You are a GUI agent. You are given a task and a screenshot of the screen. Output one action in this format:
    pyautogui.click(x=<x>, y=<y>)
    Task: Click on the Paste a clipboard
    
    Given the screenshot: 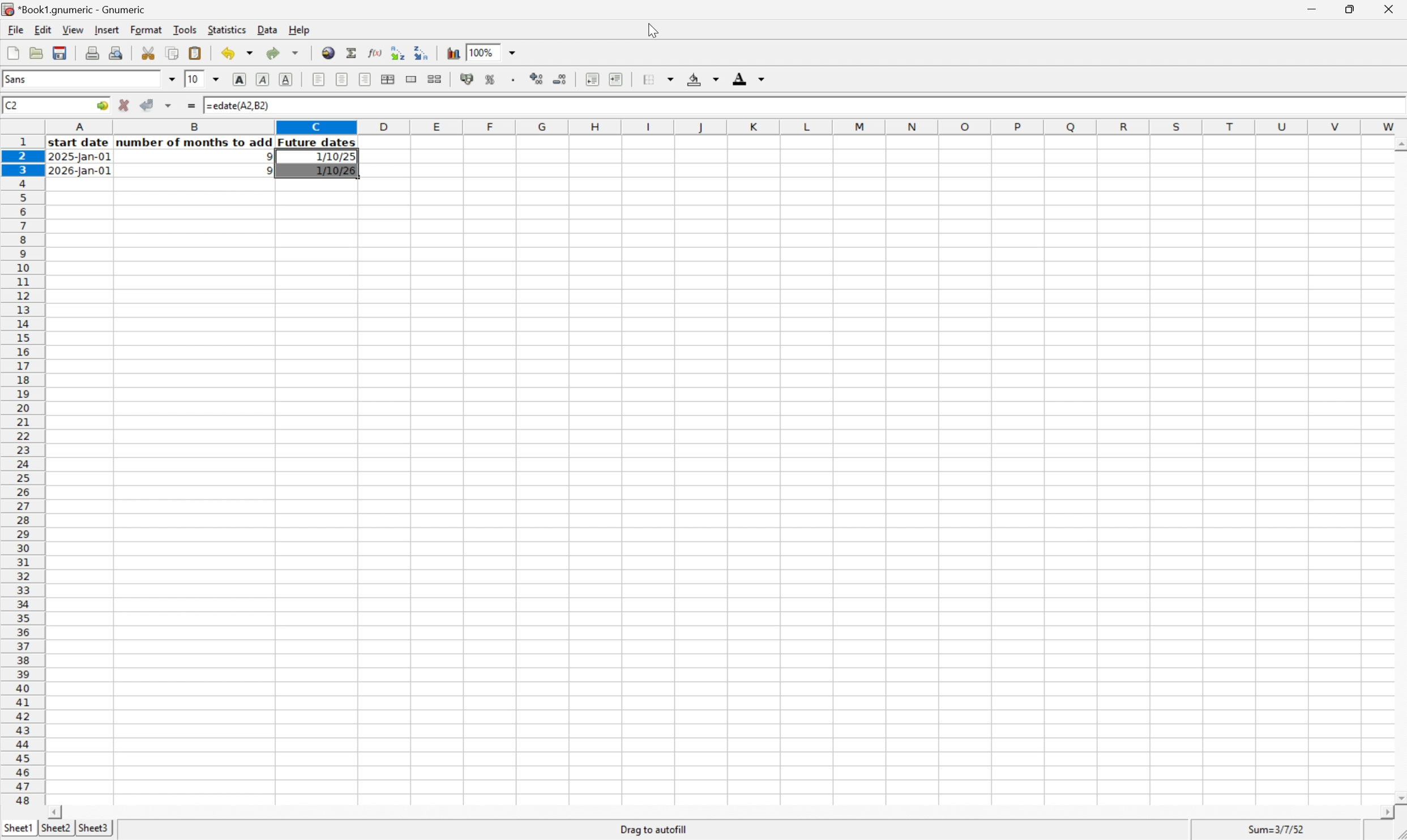 What is the action you would take?
    pyautogui.click(x=196, y=53)
    